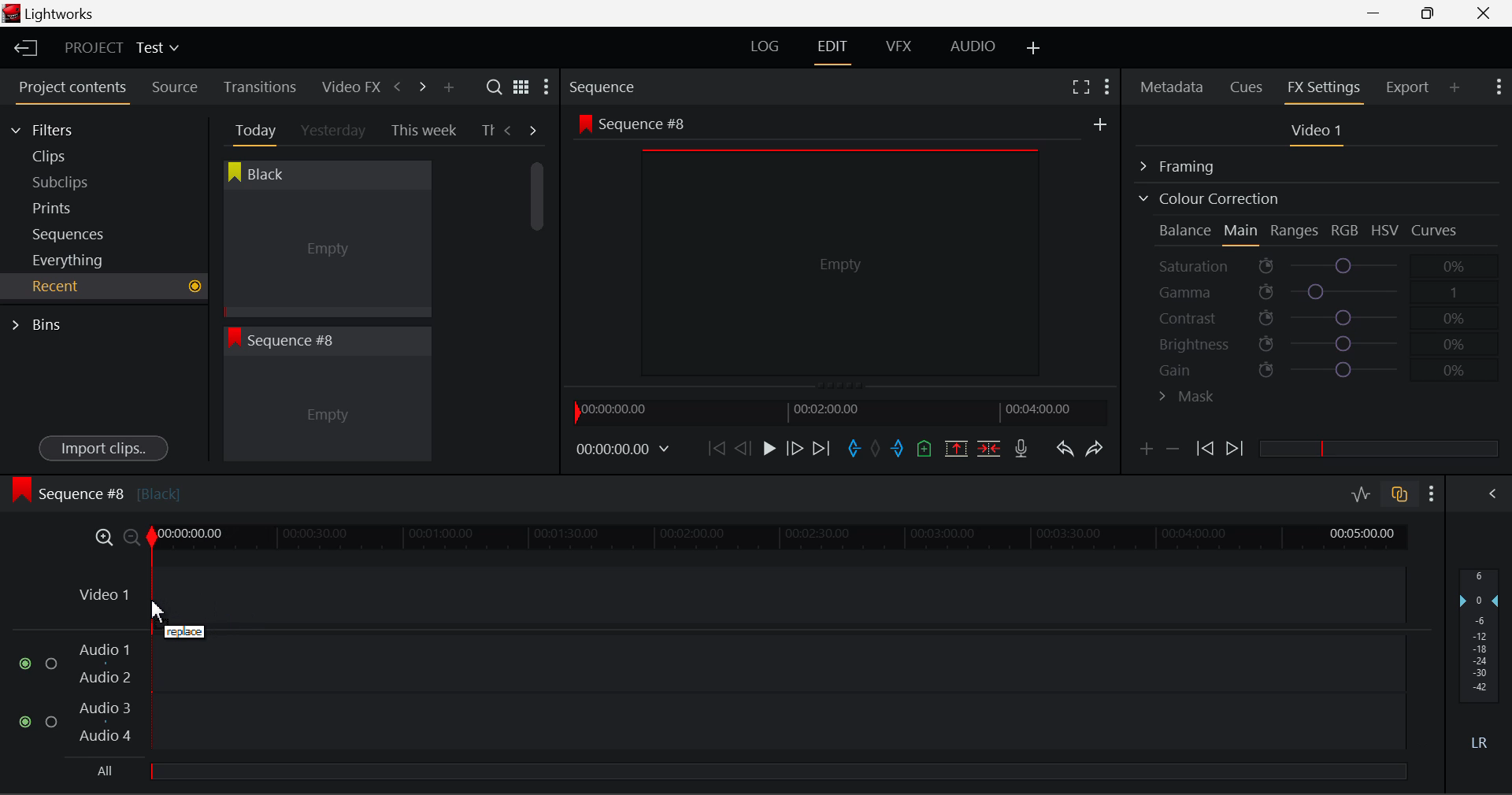 The image size is (1512, 795). Describe the element at coordinates (972, 46) in the screenshot. I see `AUDIO Layout` at that location.